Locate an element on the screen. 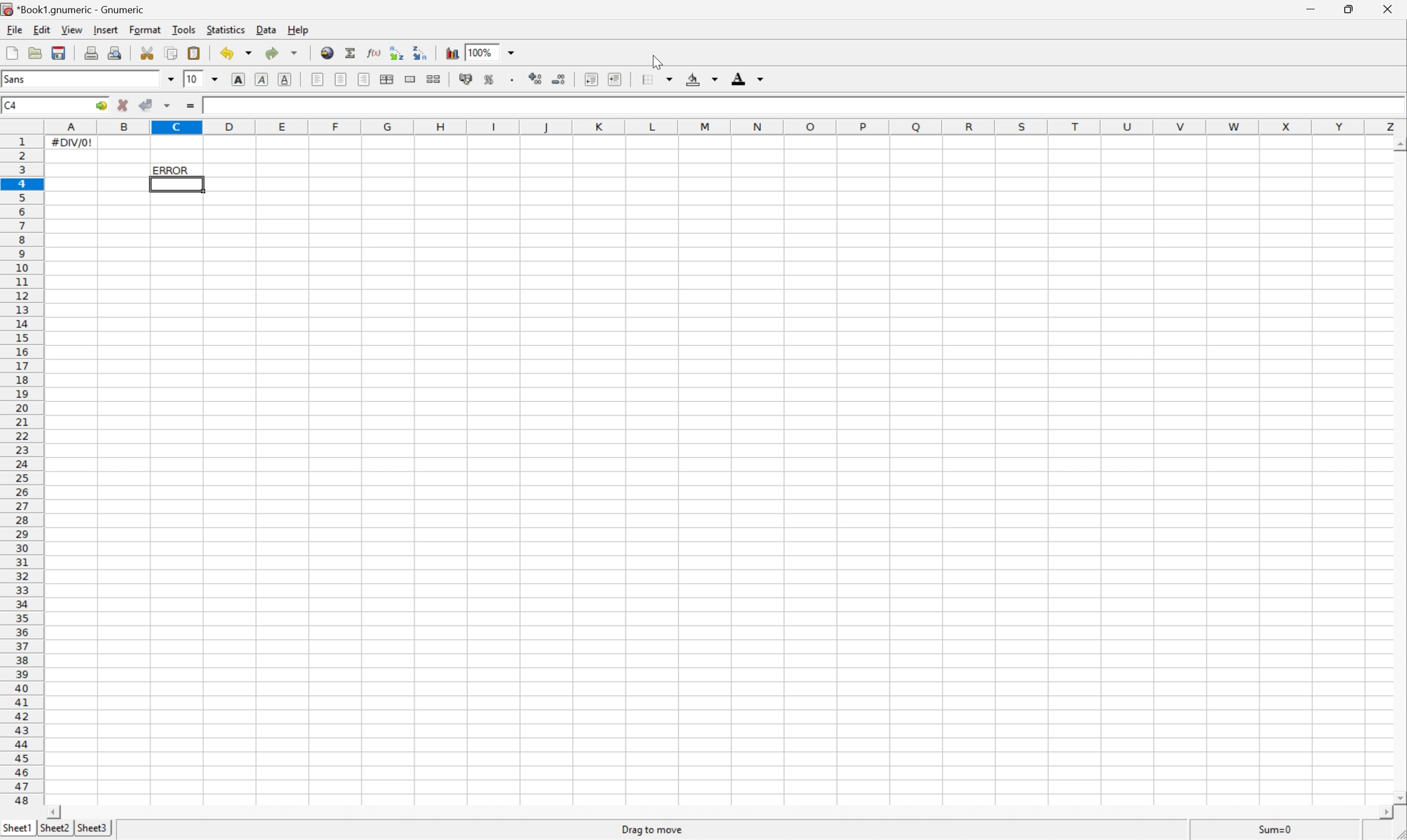 The image size is (1407, 840). Enter formula is located at coordinates (189, 104).